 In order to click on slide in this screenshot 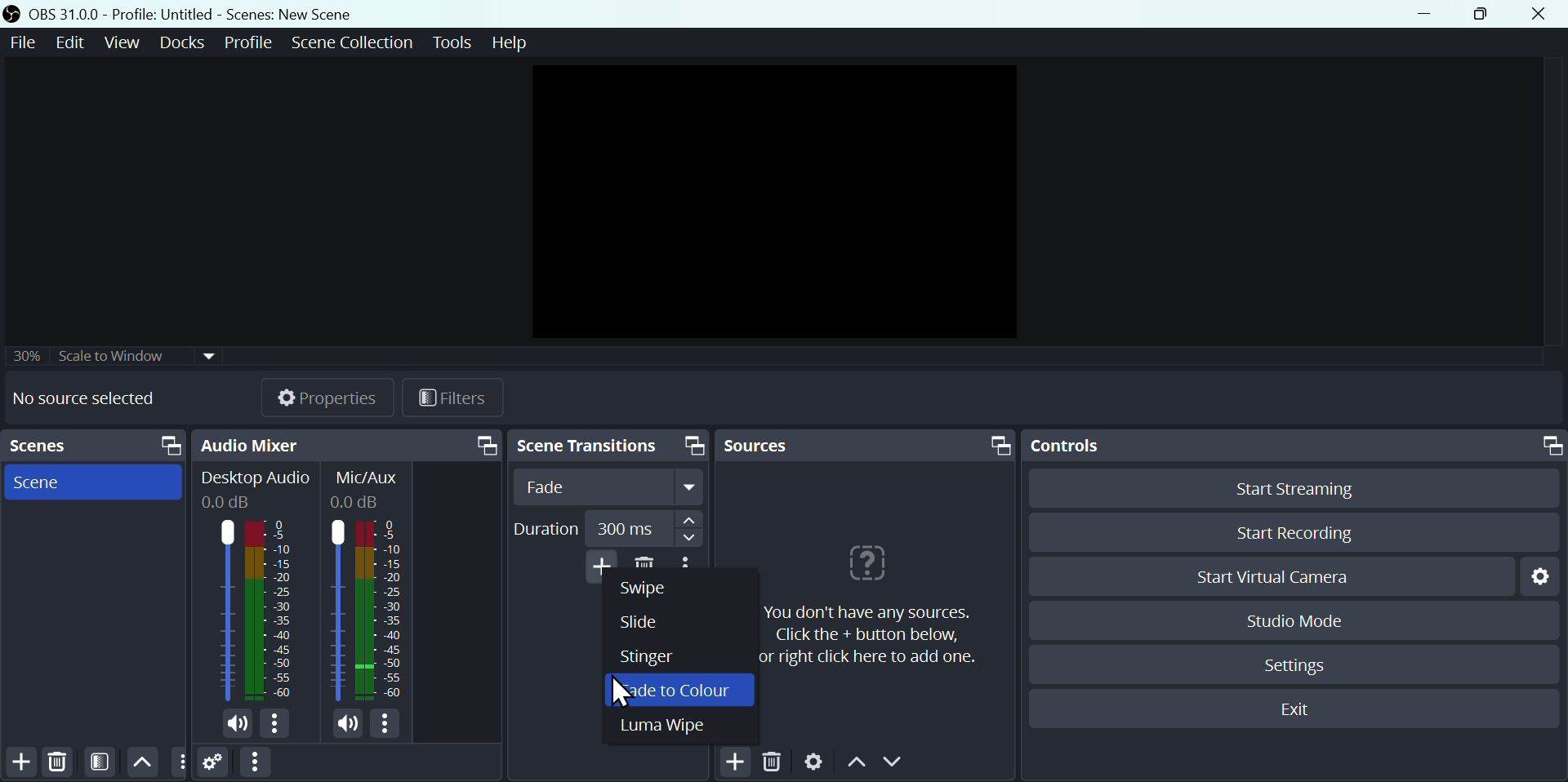, I will do `click(653, 620)`.